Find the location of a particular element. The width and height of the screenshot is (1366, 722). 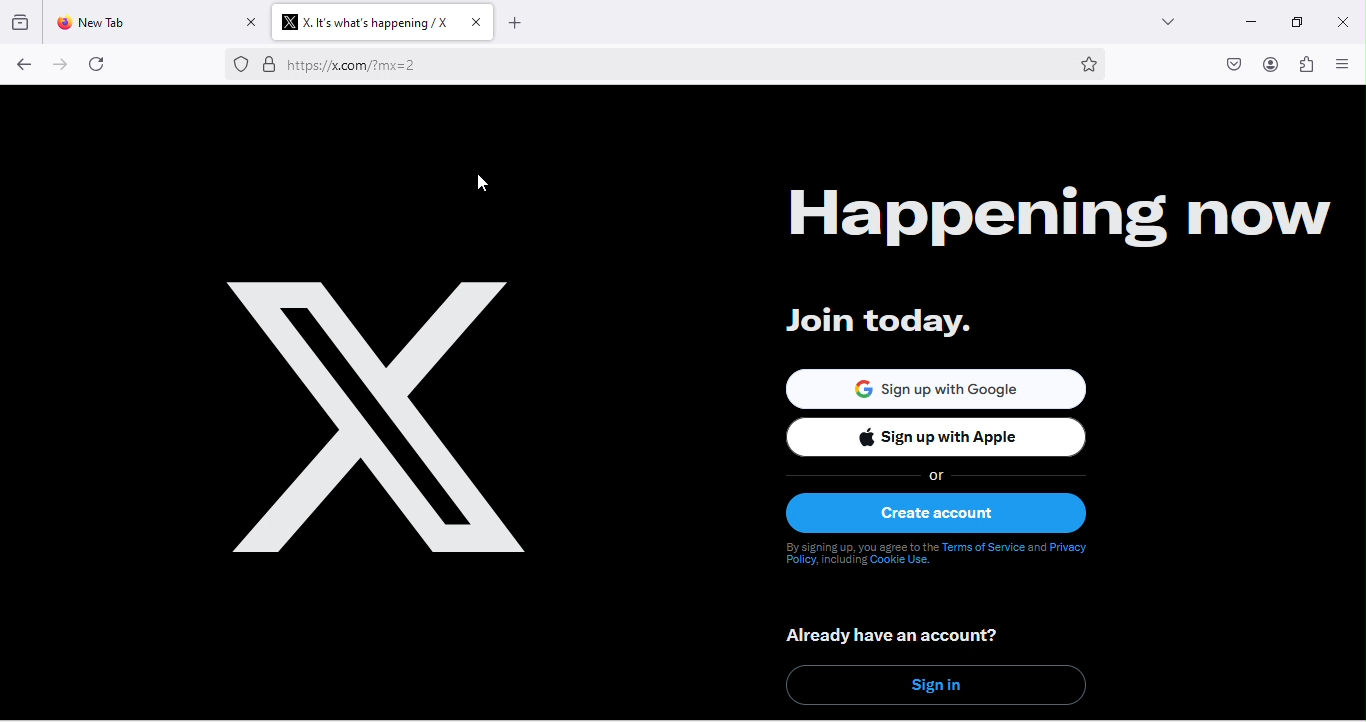

minimize is located at coordinates (1248, 21).